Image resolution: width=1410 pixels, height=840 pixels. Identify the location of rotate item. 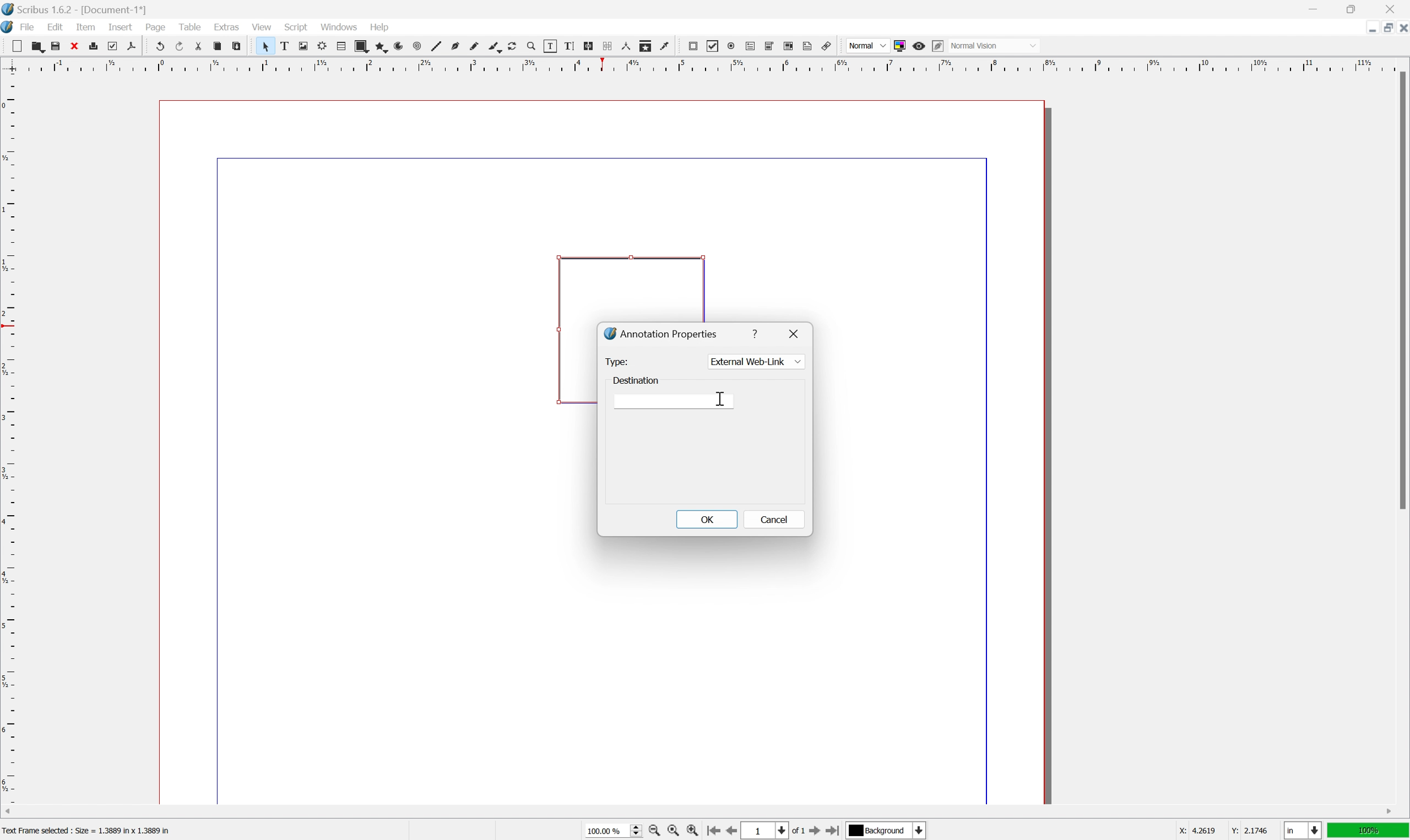
(513, 46).